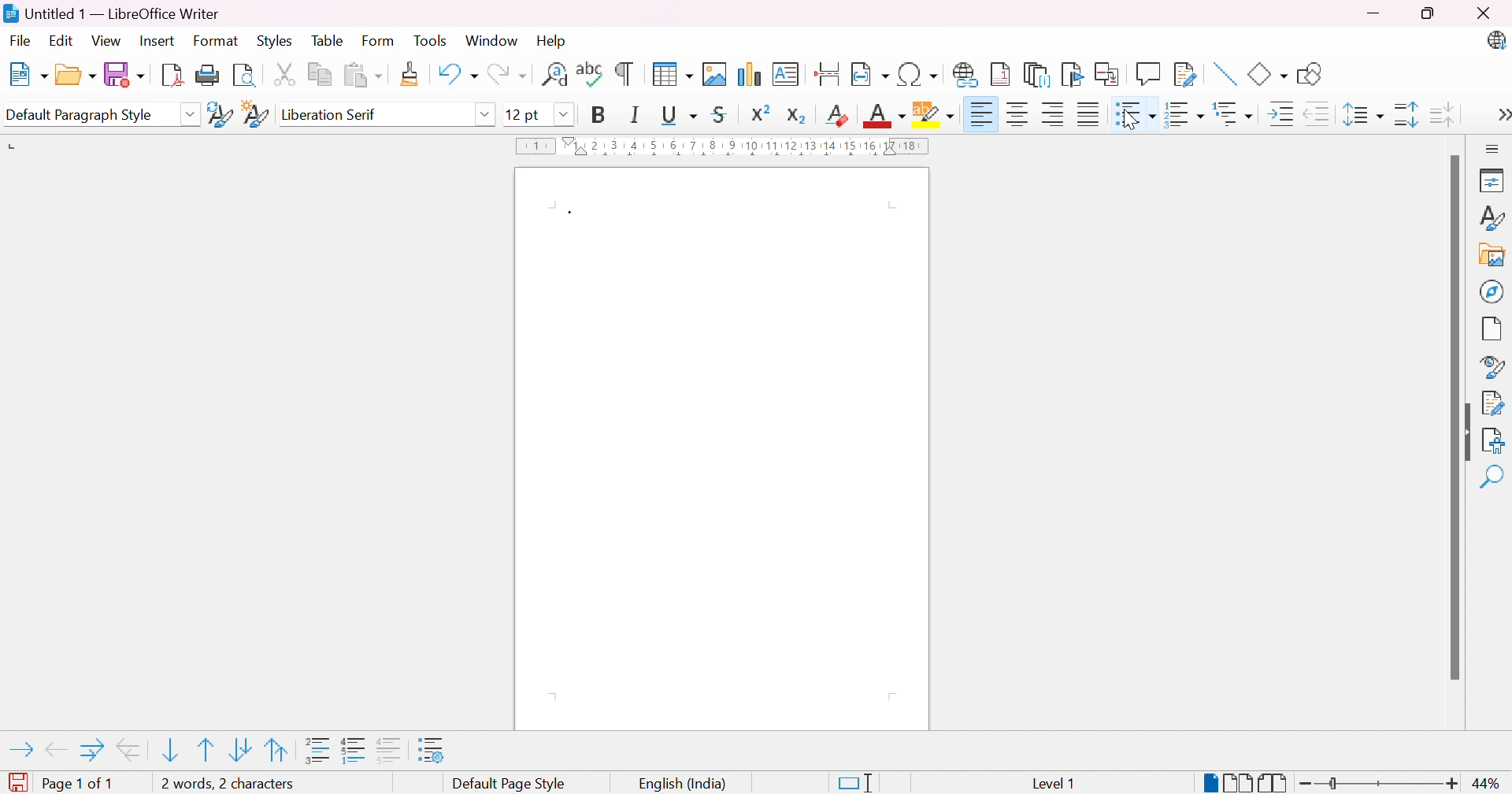  I want to click on Open, so click(75, 76).